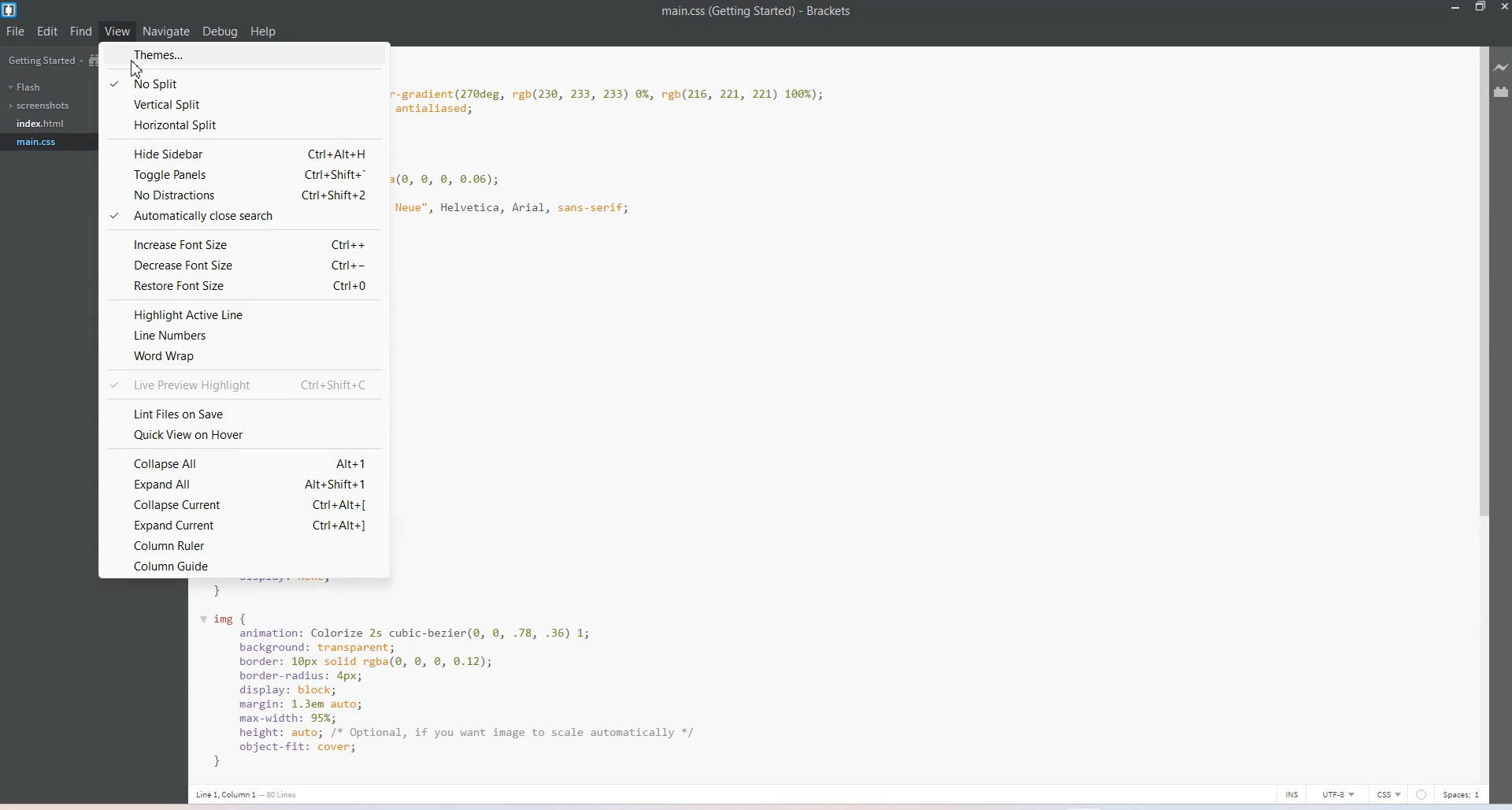 This screenshot has width=1512, height=810. What do you see at coordinates (241, 484) in the screenshot?
I see `Expand All` at bounding box center [241, 484].